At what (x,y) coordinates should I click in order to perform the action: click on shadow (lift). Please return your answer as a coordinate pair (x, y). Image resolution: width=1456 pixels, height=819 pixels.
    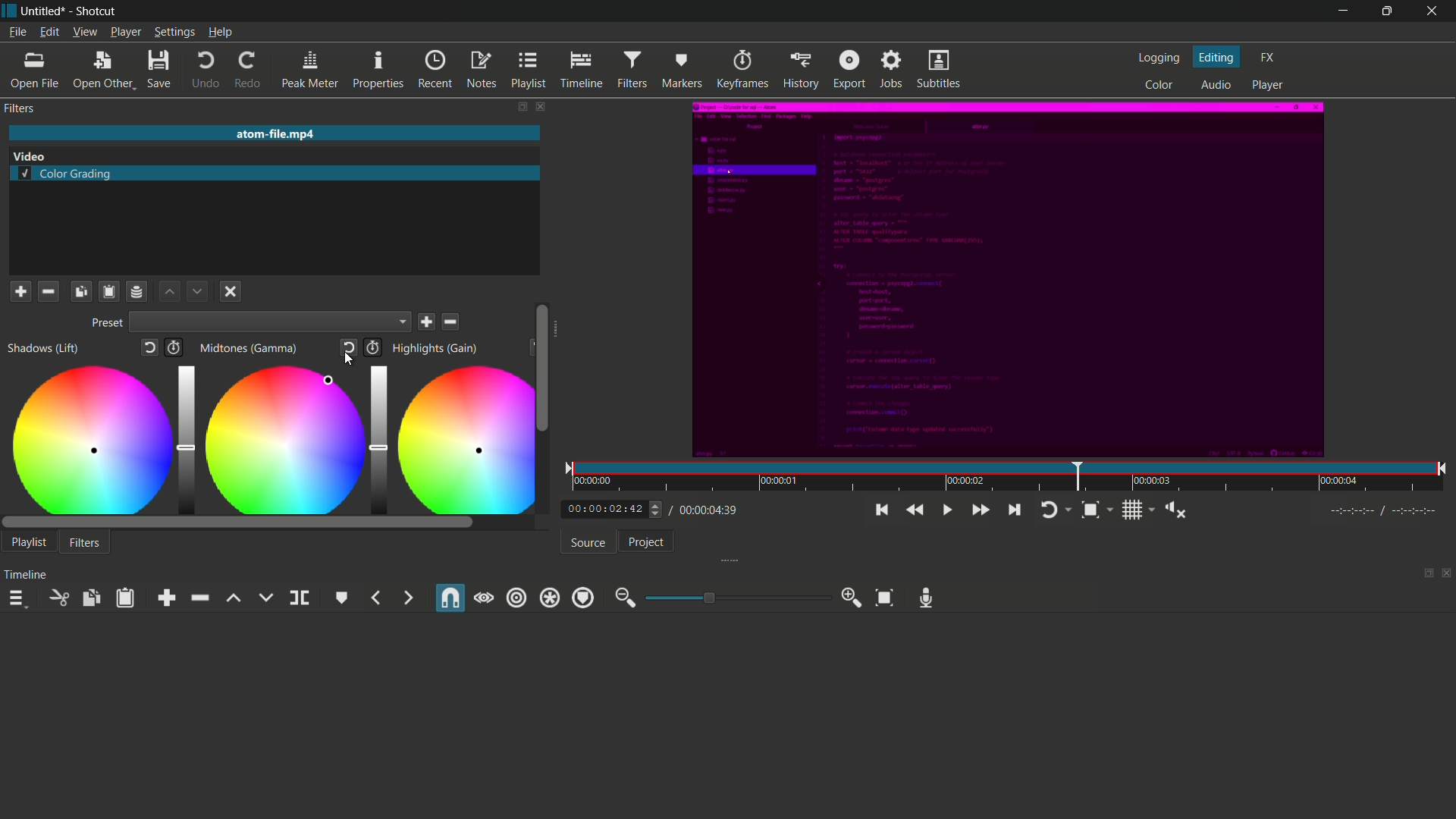
    Looking at the image, I should click on (43, 349).